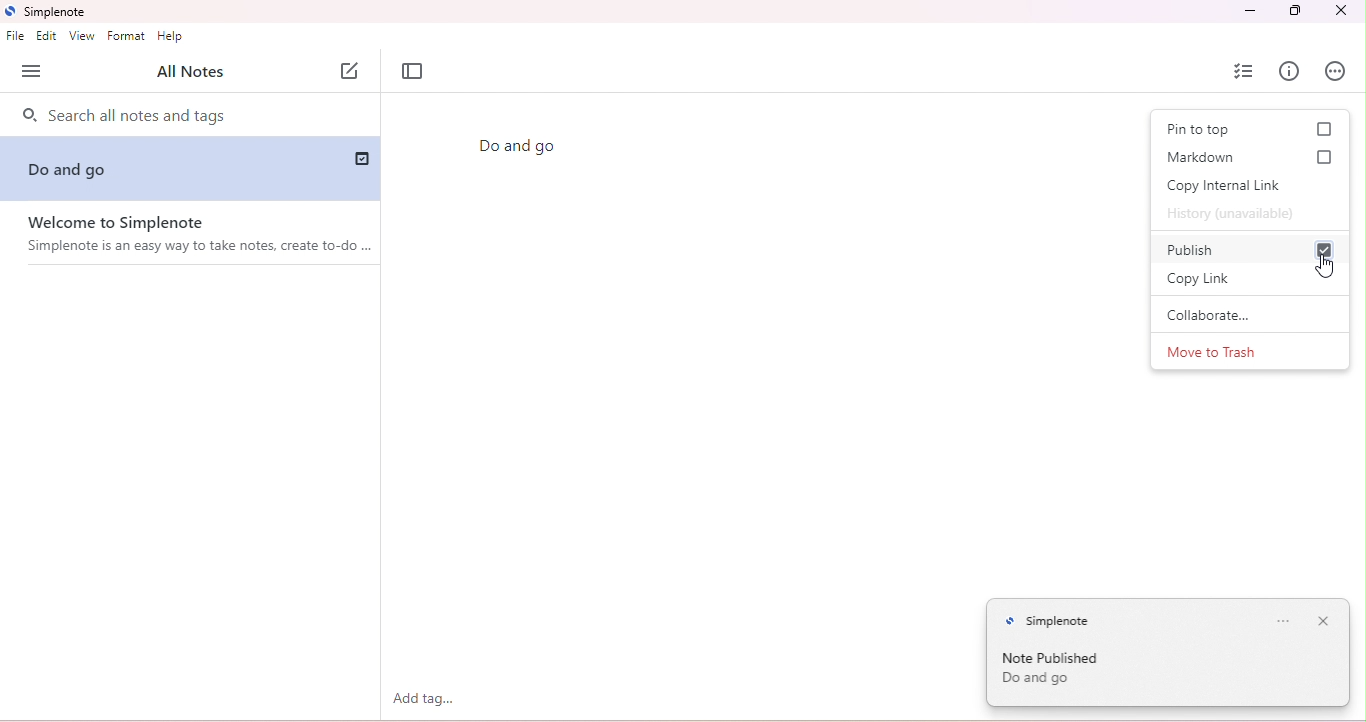  I want to click on publish, so click(1199, 249).